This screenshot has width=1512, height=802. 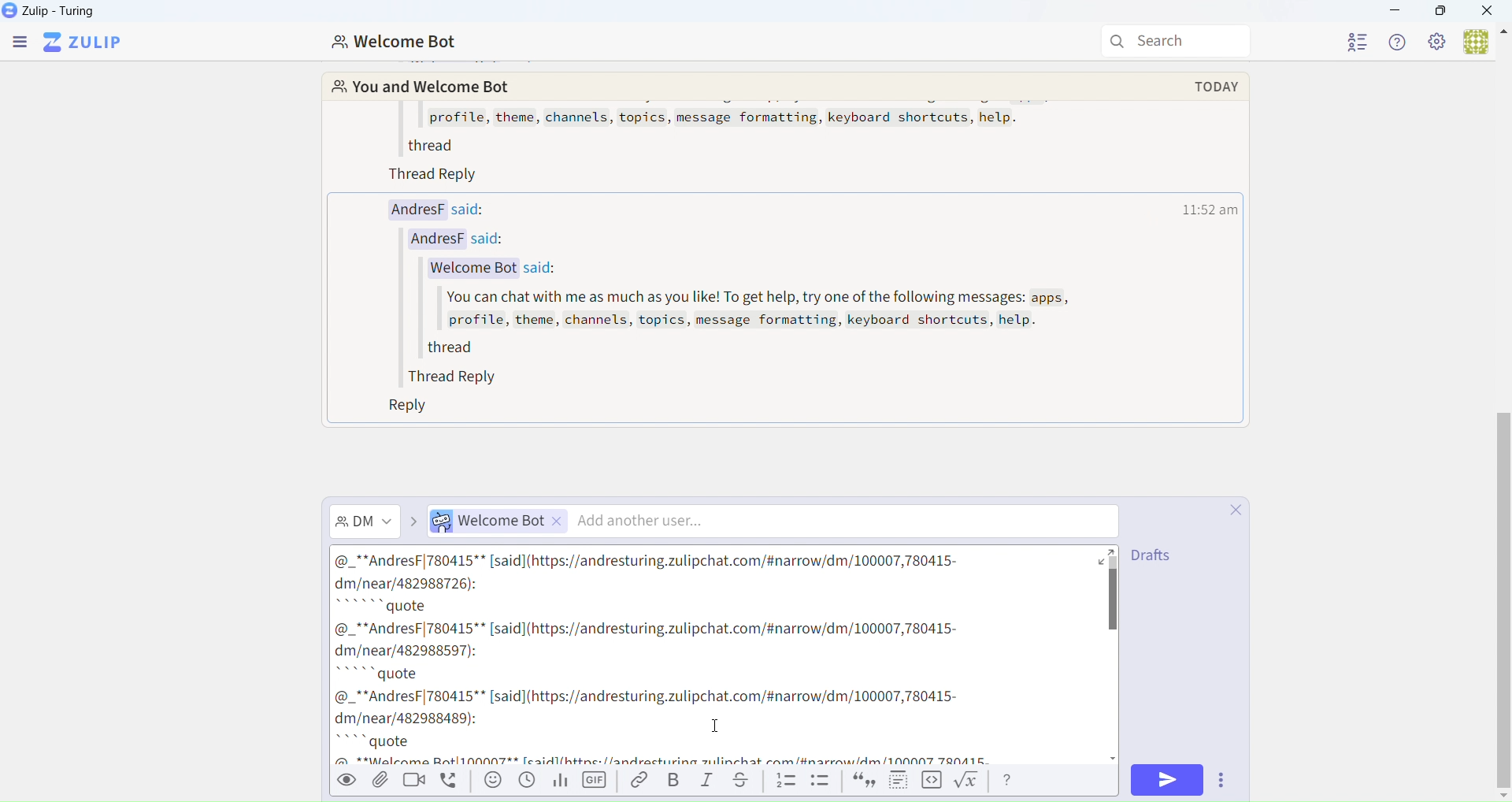 What do you see at coordinates (1158, 556) in the screenshot?
I see `drafts` at bounding box center [1158, 556].